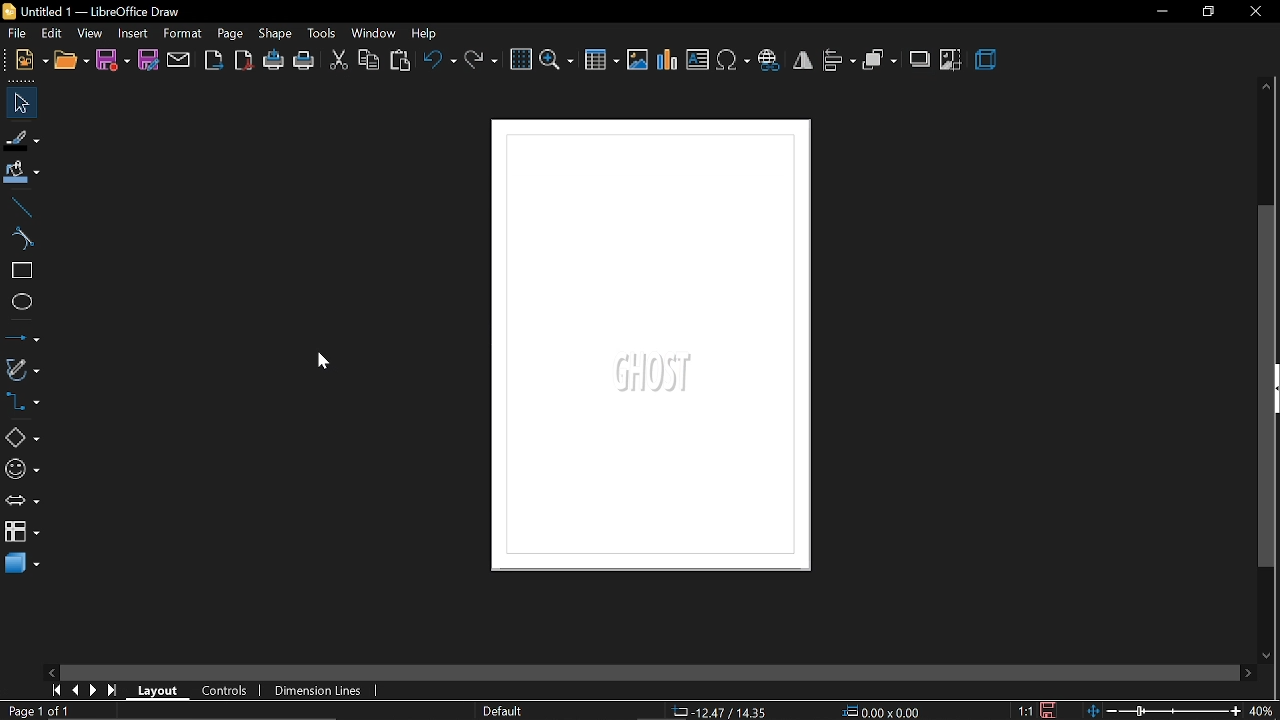  Describe the element at coordinates (521, 60) in the screenshot. I see `grid` at that location.